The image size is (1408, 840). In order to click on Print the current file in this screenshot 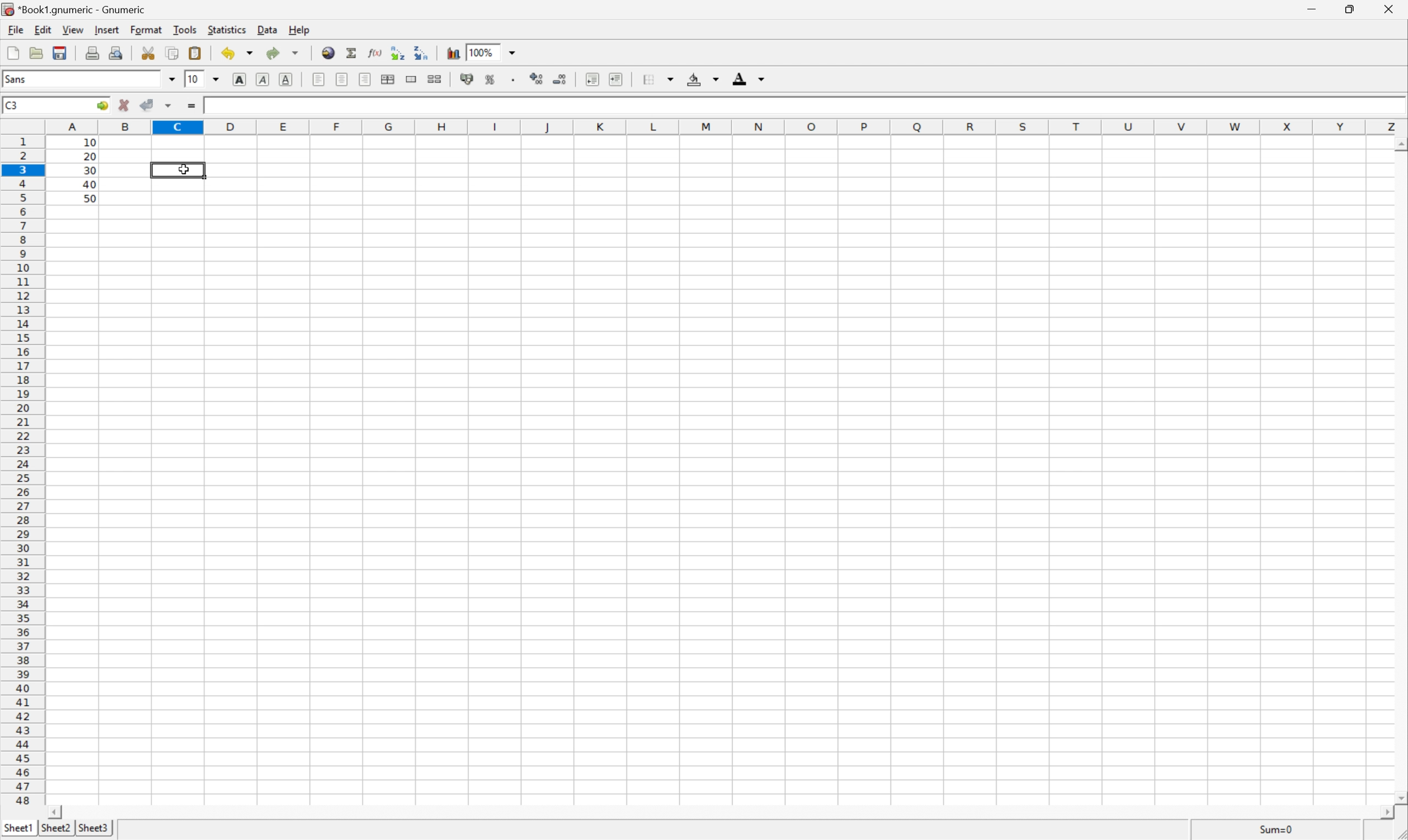, I will do `click(92, 53)`.